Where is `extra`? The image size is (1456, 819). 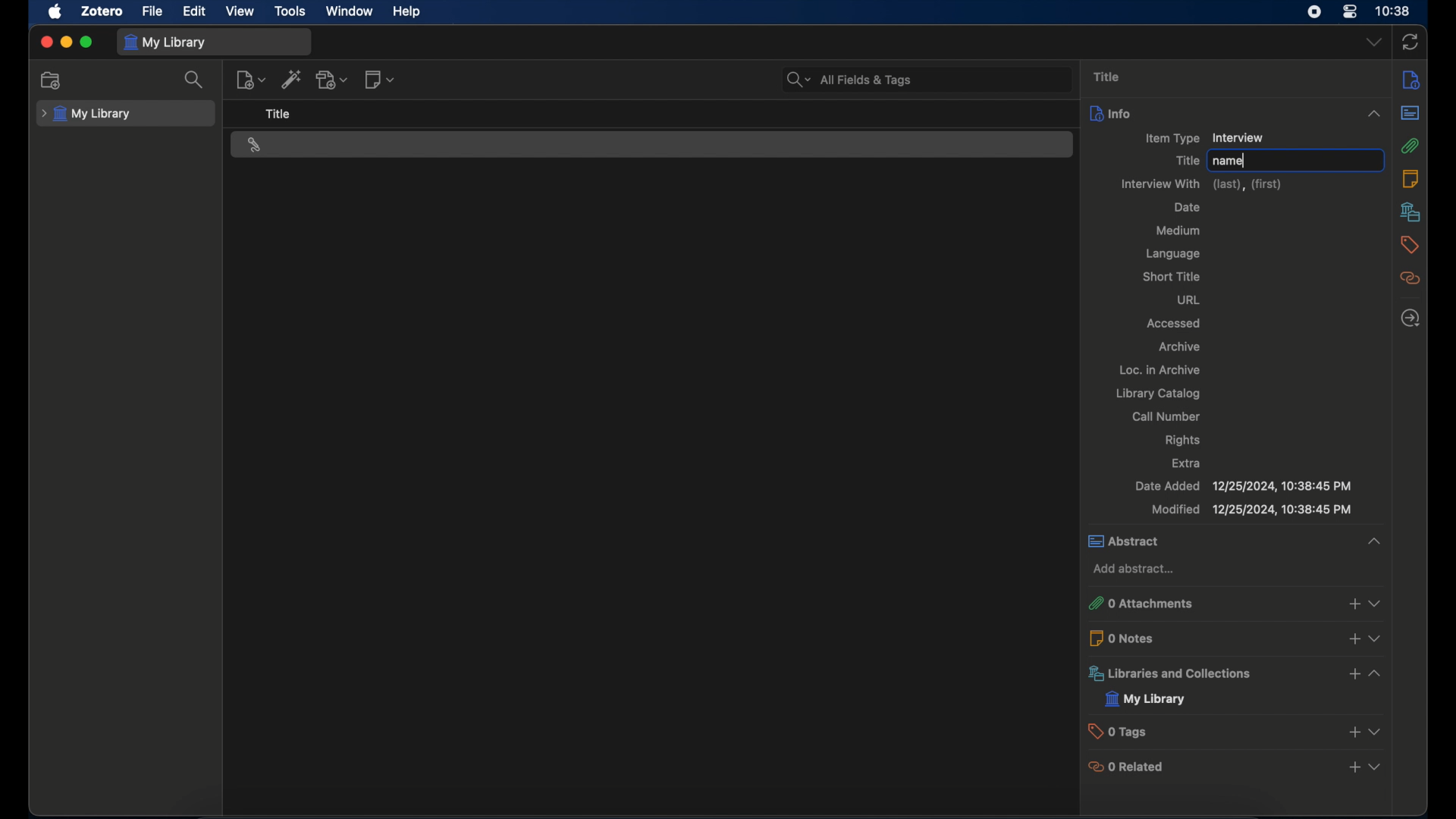 extra is located at coordinates (1188, 463).